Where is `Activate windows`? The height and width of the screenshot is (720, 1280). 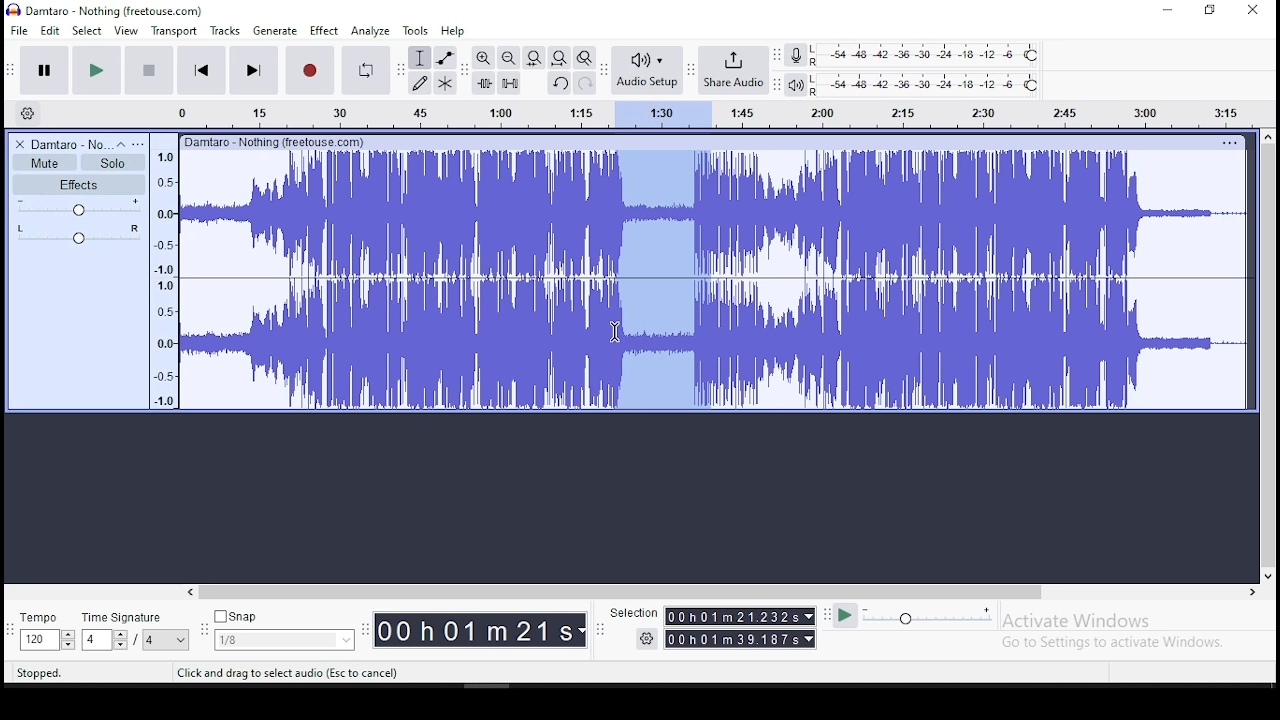
Activate windows is located at coordinates (1074, 621).